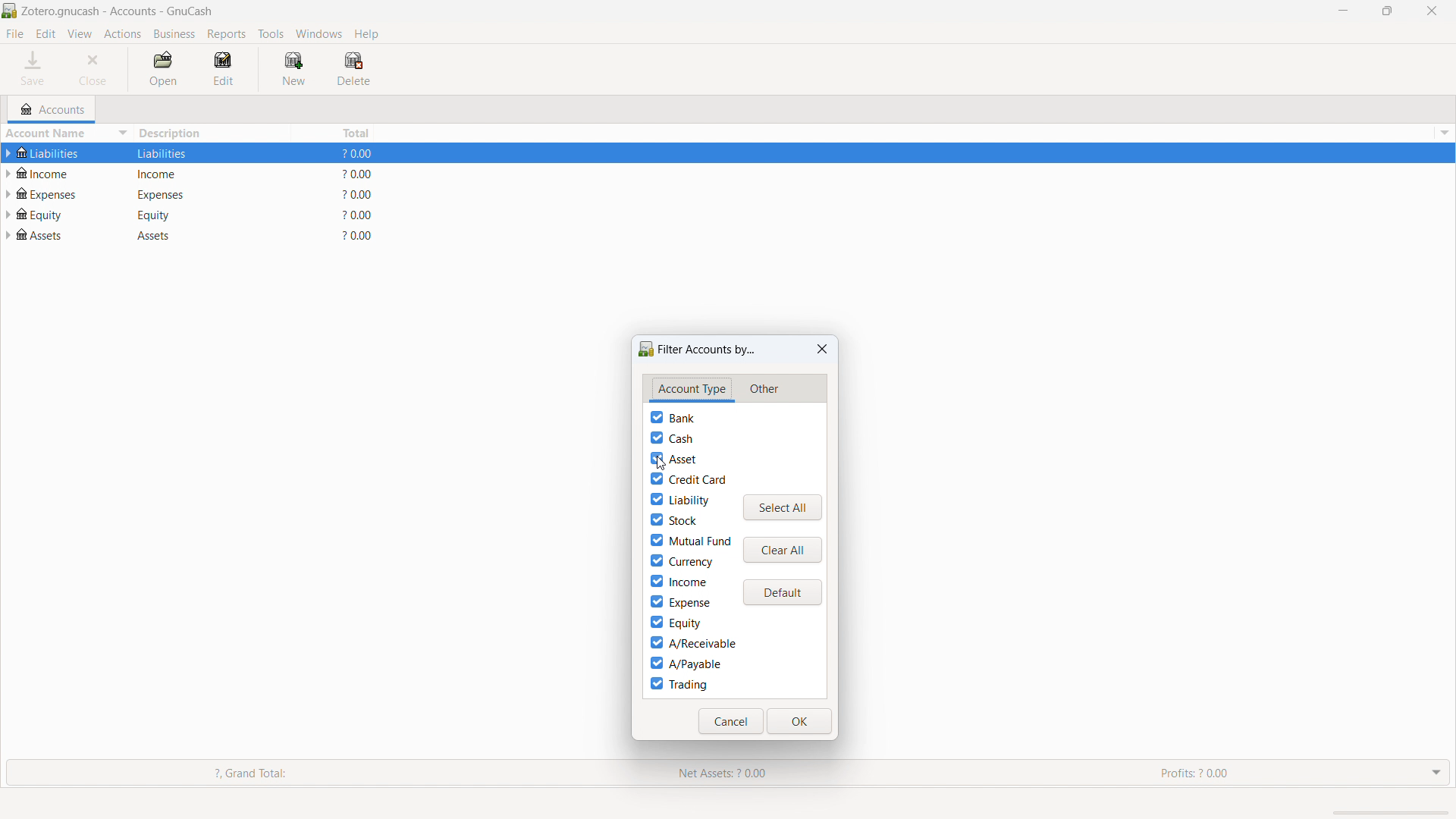  I want to click on expense, so click(679, 601).